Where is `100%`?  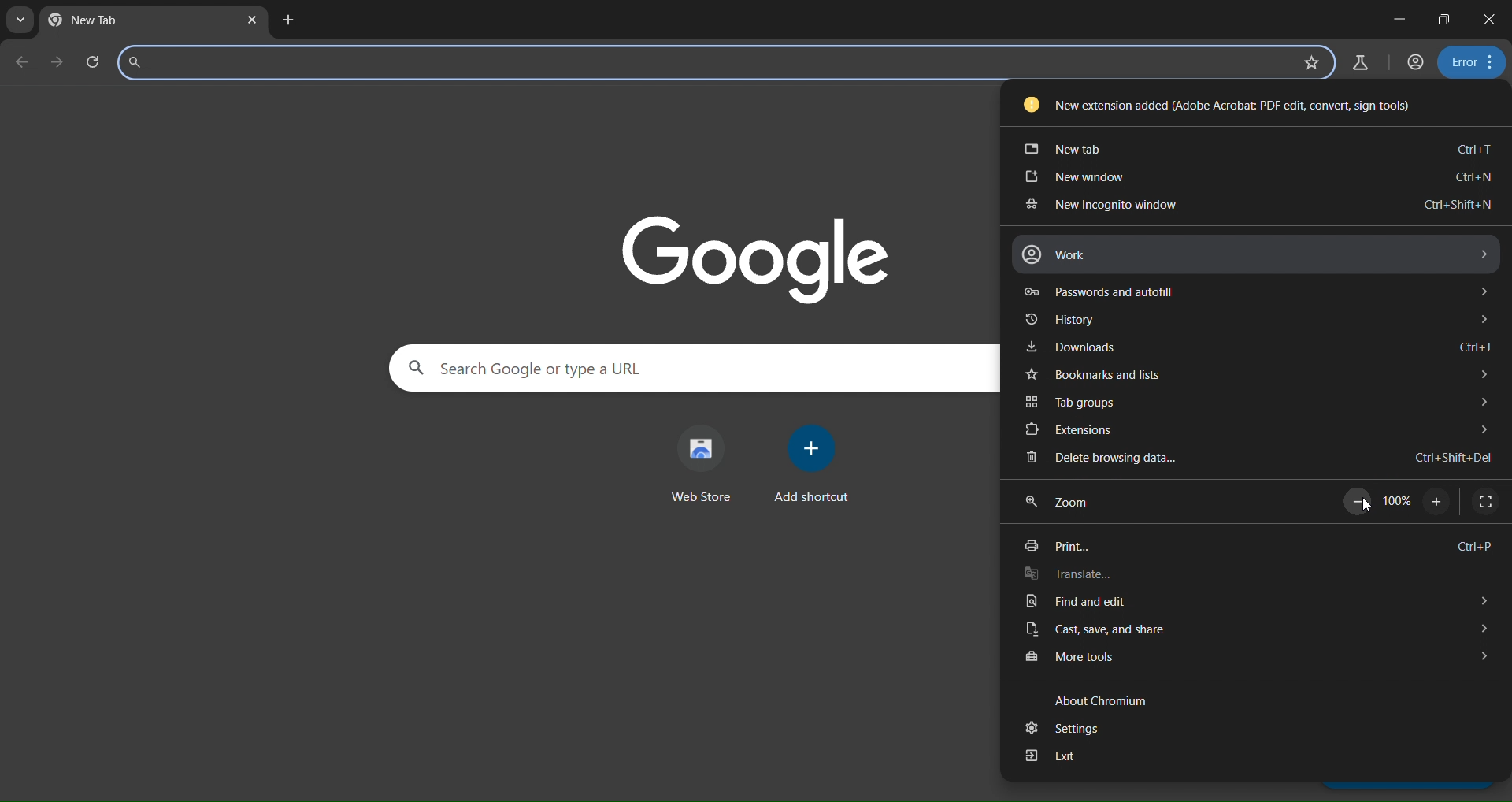
100% is located at coordinates (1398, 500).